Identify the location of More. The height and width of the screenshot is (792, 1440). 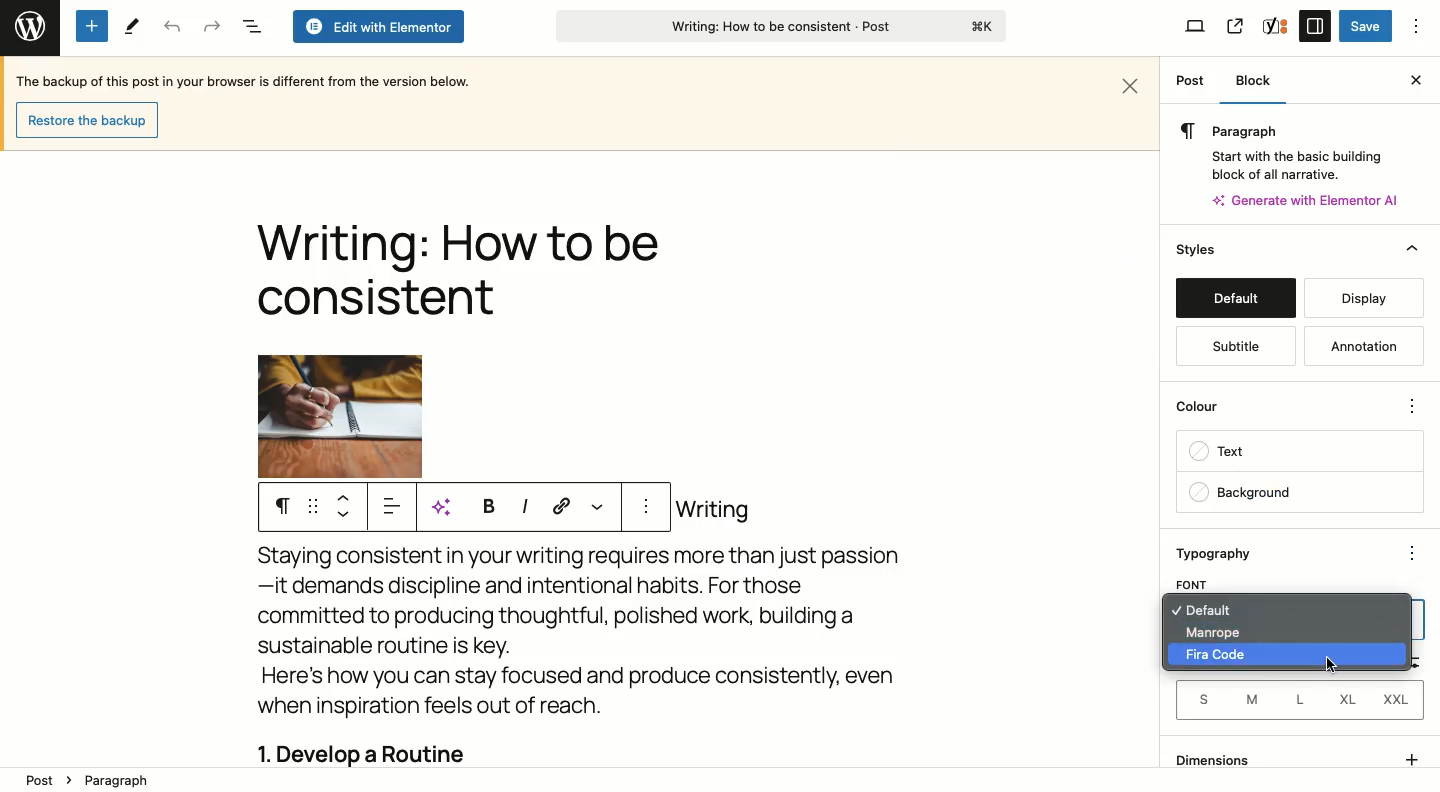
(596, 505).